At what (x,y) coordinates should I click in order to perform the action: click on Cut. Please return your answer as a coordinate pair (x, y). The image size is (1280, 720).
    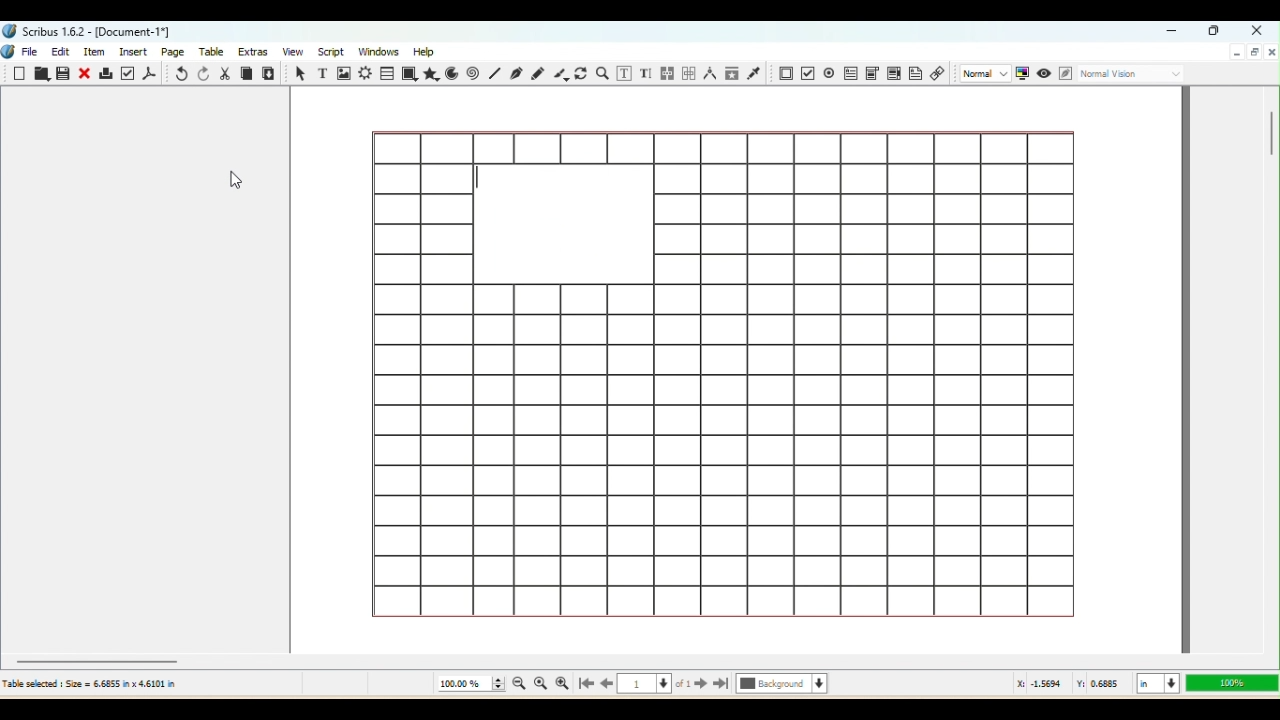
    Looking at the image, I should click on (225, 73).